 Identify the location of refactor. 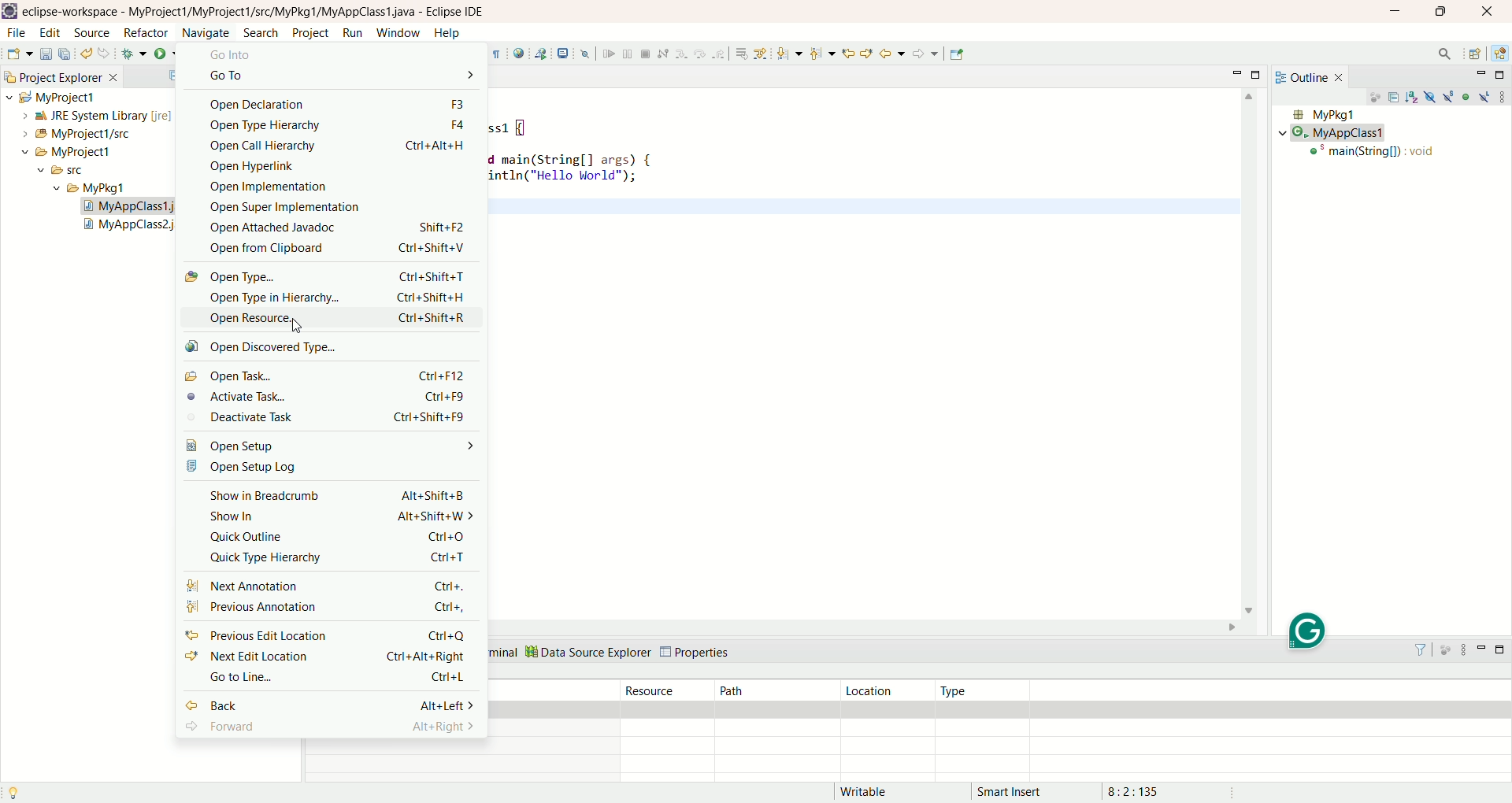
(145, 35).